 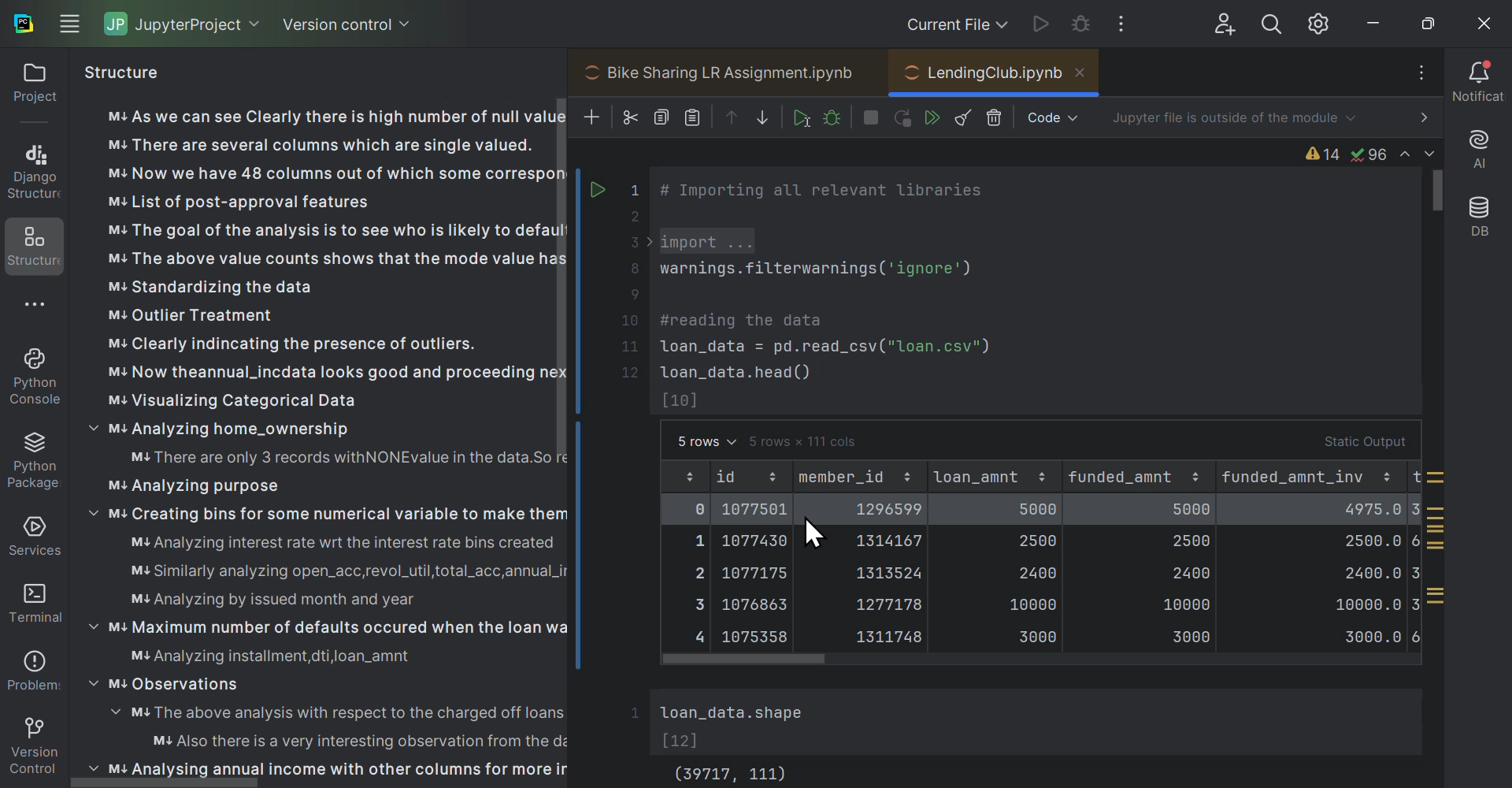 I want to click on Project, so click(x=35, y=87).